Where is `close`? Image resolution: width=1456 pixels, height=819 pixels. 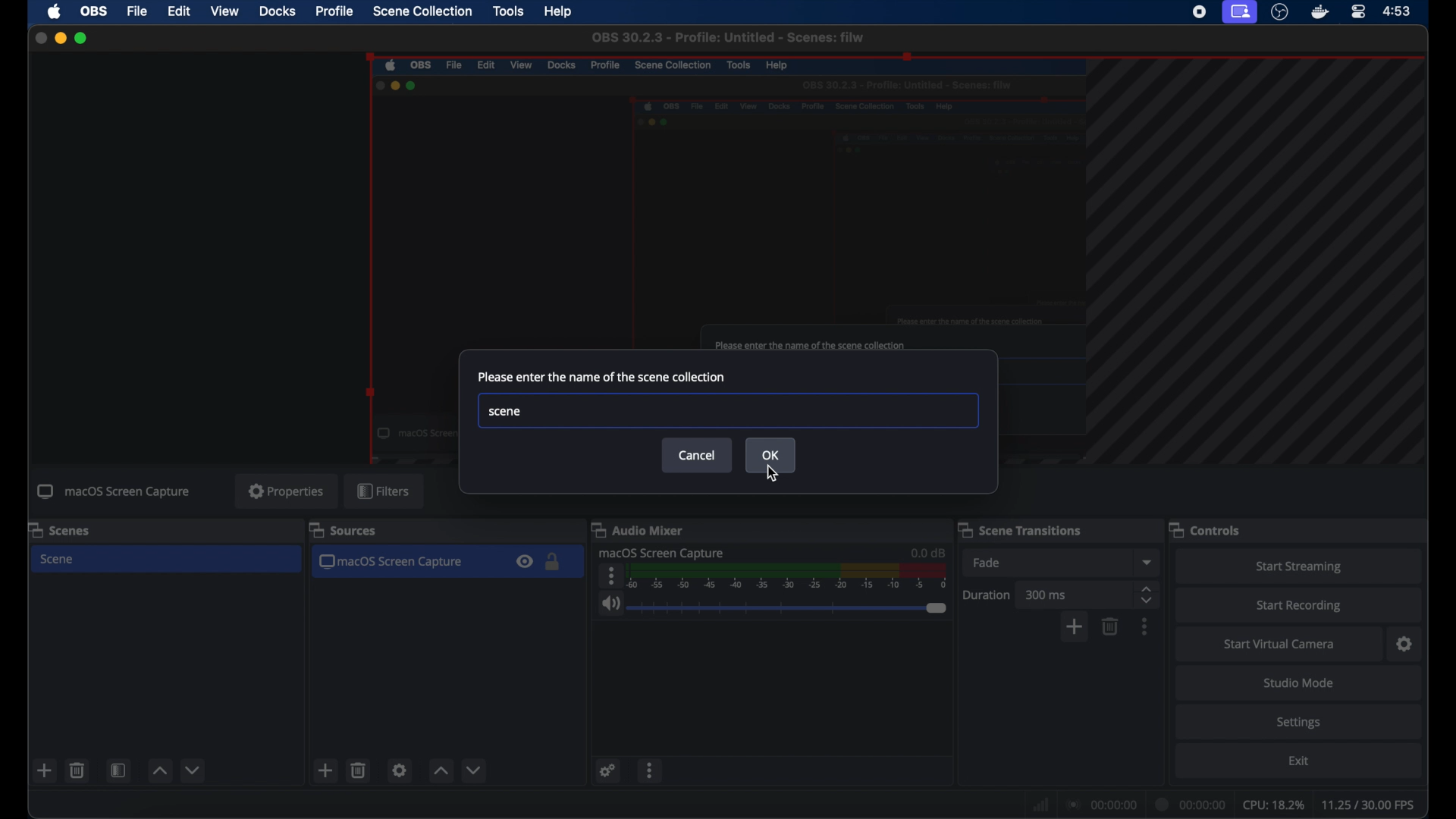
close is located at coordinates (36, 36).